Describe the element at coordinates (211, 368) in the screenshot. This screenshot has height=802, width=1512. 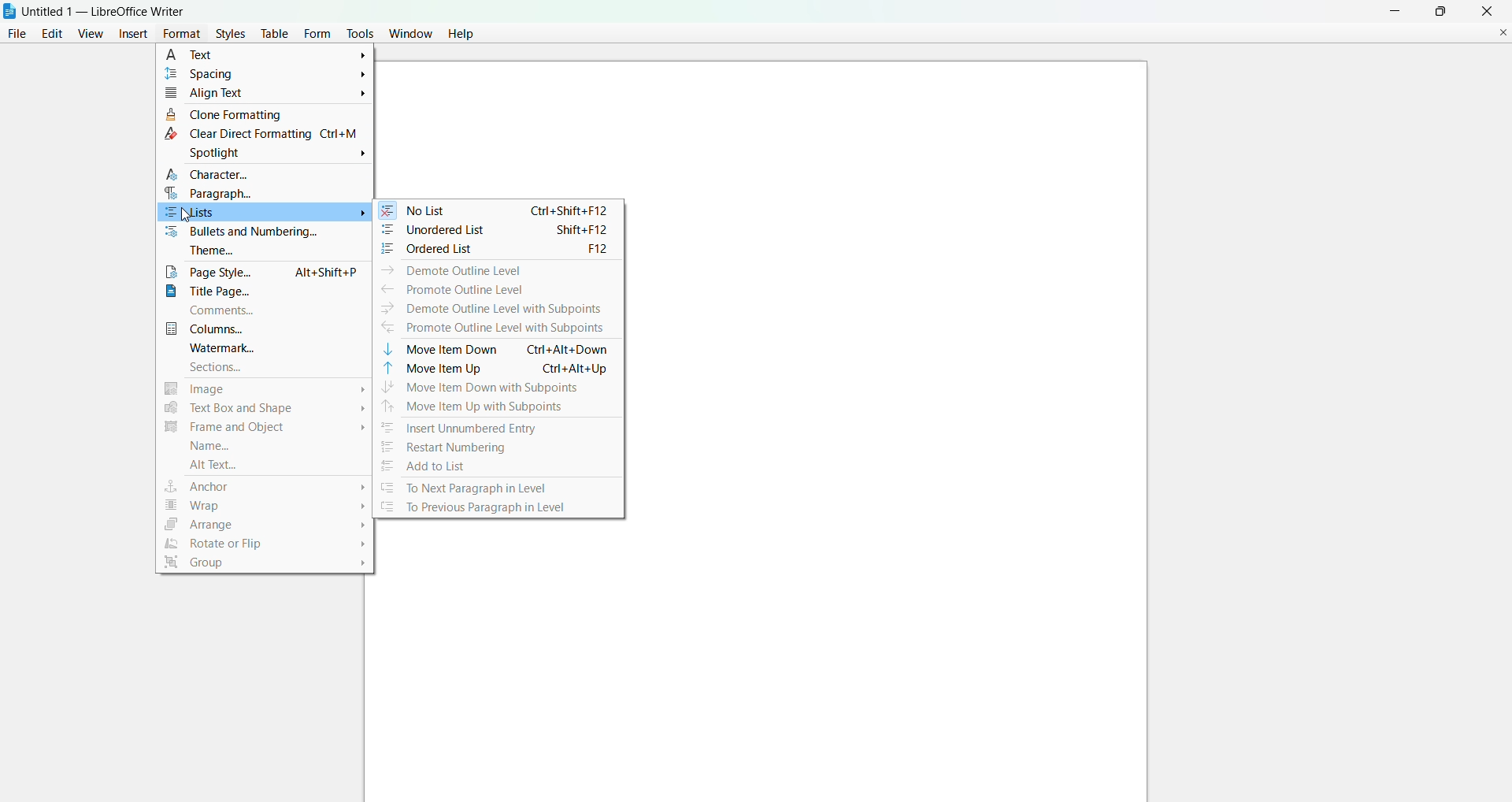
I see `sections` at that location.